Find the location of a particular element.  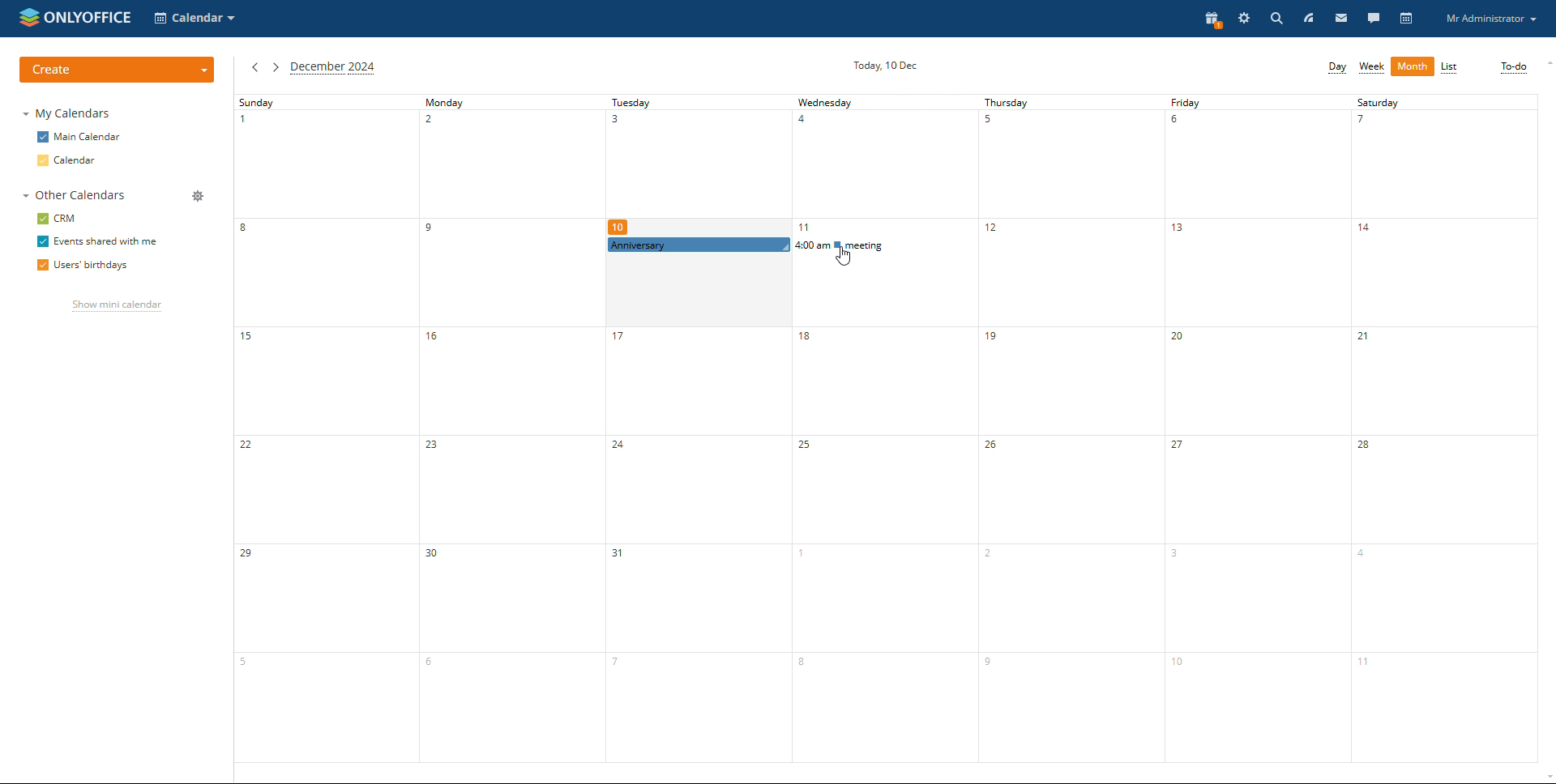

saturday is located at coordinates (1444, 428).